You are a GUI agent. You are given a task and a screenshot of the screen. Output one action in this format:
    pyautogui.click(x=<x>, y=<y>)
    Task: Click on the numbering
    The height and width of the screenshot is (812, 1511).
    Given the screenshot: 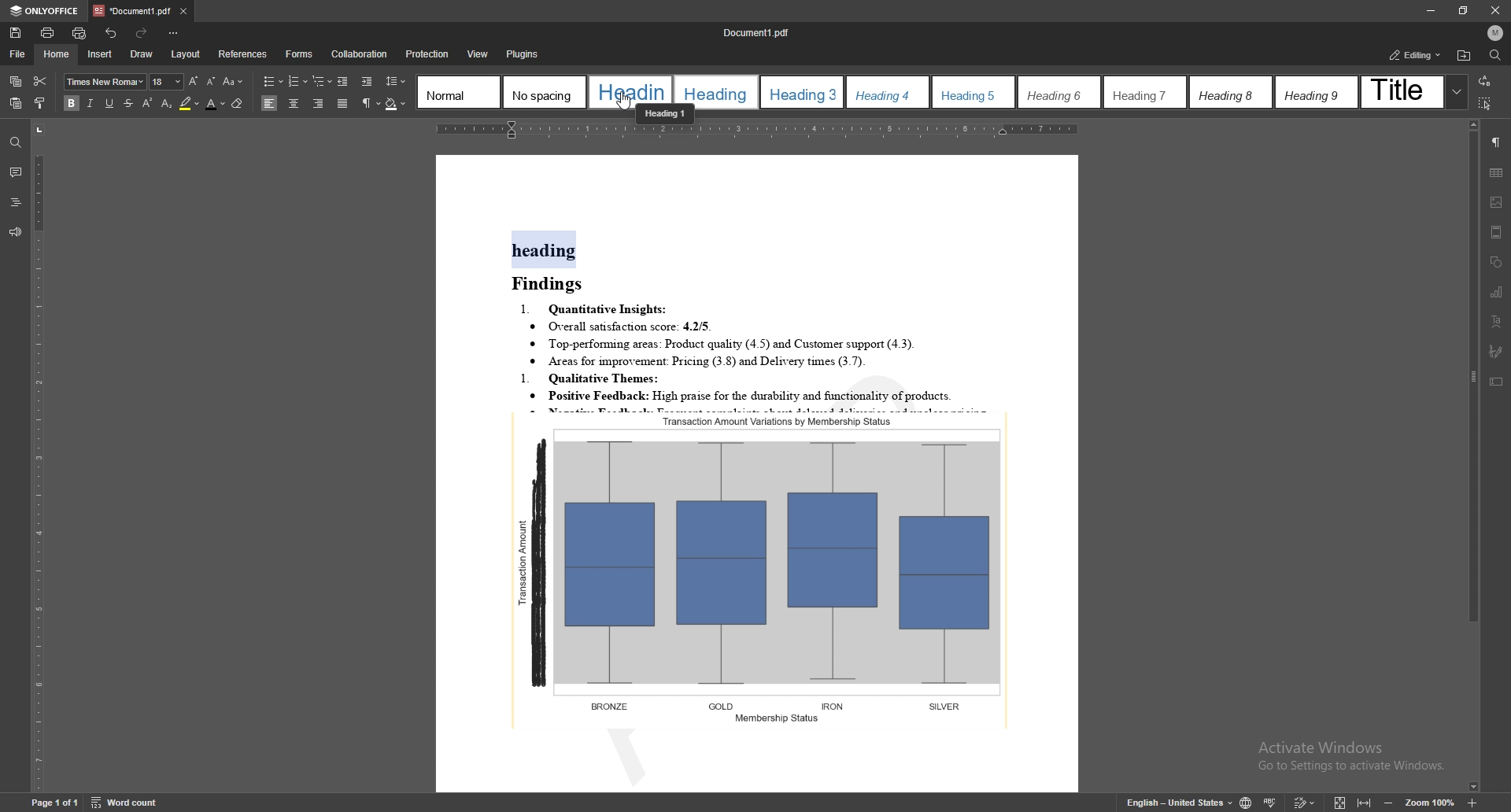 What is the action you would take?
    pyautogui.click(x=298, y=81)
    